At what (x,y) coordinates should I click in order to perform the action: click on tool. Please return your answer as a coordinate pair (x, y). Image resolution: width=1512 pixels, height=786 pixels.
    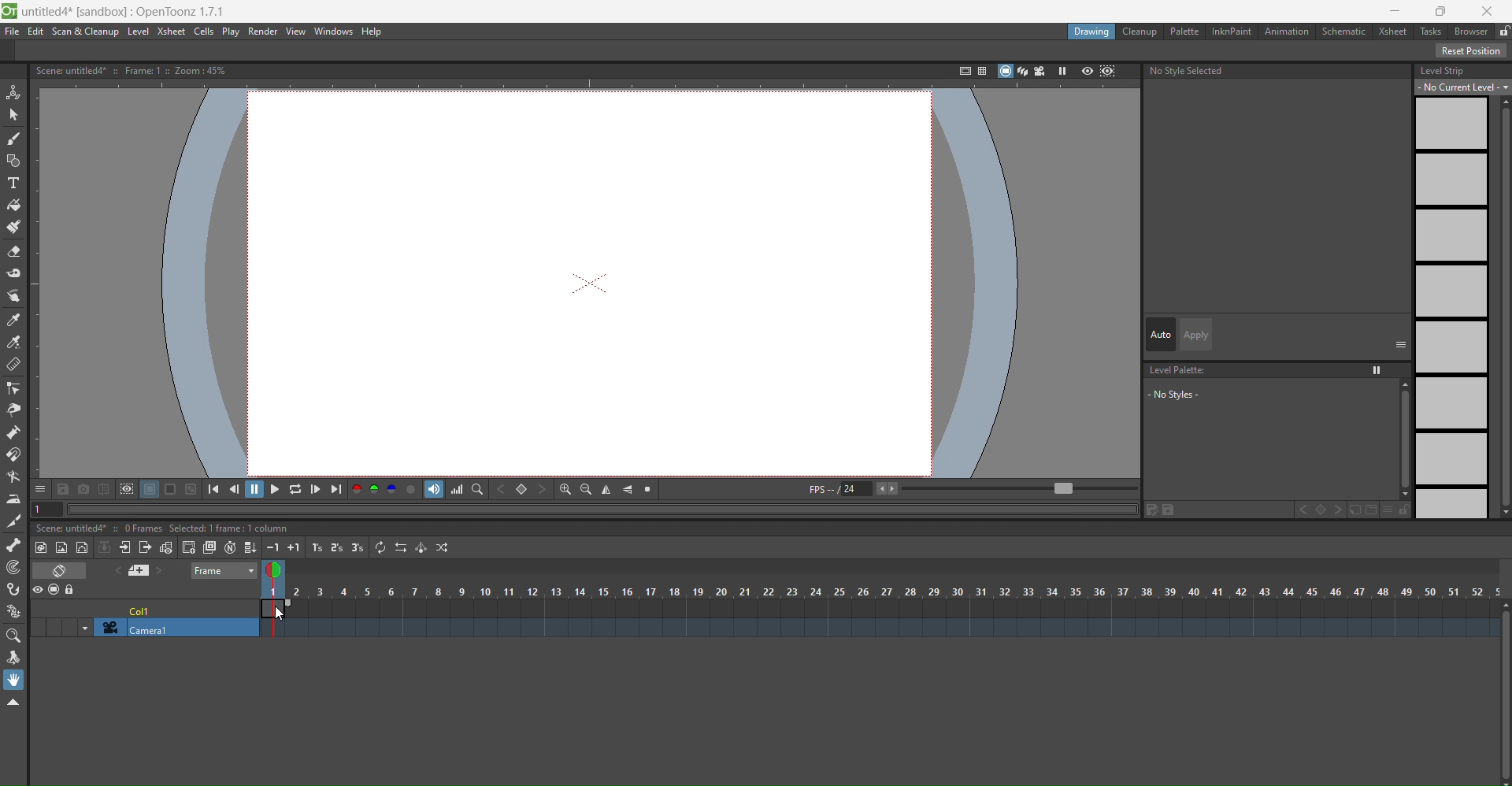
    Looking at the image, I should click on (83, 488).